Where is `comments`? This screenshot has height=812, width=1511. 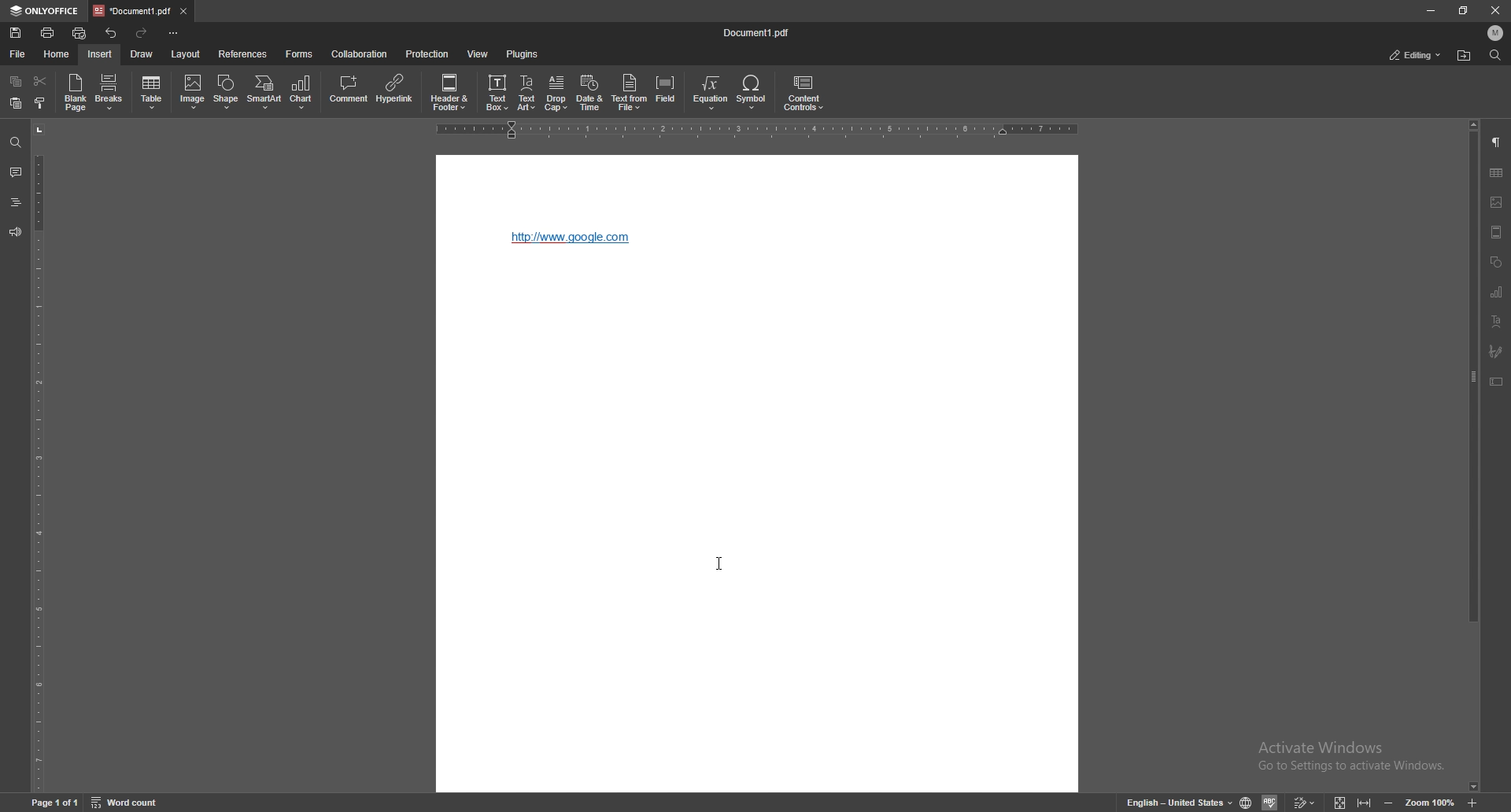
comments is located at coordinates (13, 172).